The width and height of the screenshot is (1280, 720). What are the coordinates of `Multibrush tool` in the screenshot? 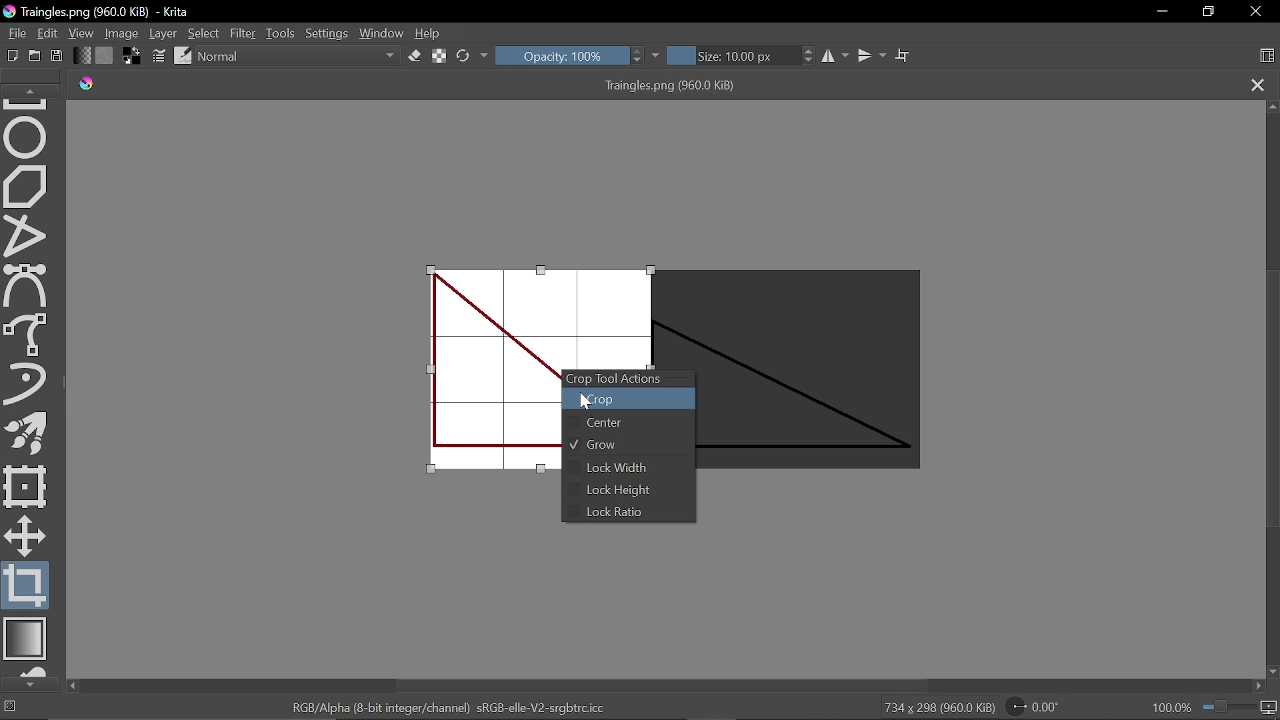 It's located at (30, 436).